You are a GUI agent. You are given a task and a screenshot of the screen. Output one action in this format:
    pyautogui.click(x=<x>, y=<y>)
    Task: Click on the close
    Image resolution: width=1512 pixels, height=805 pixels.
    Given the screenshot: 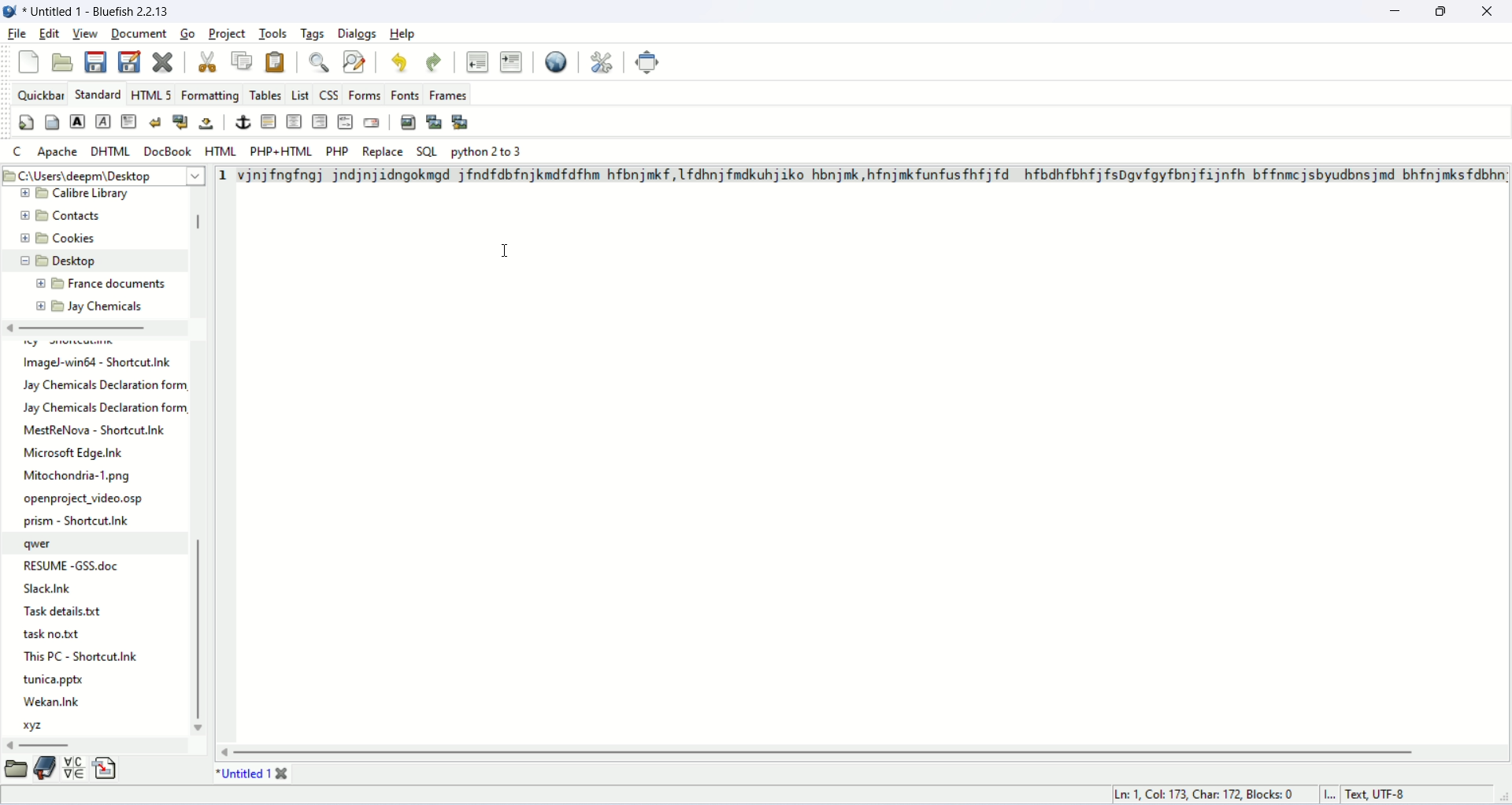 What is the action you would take?
    pyautogui.click(x=1487, y=11)
    